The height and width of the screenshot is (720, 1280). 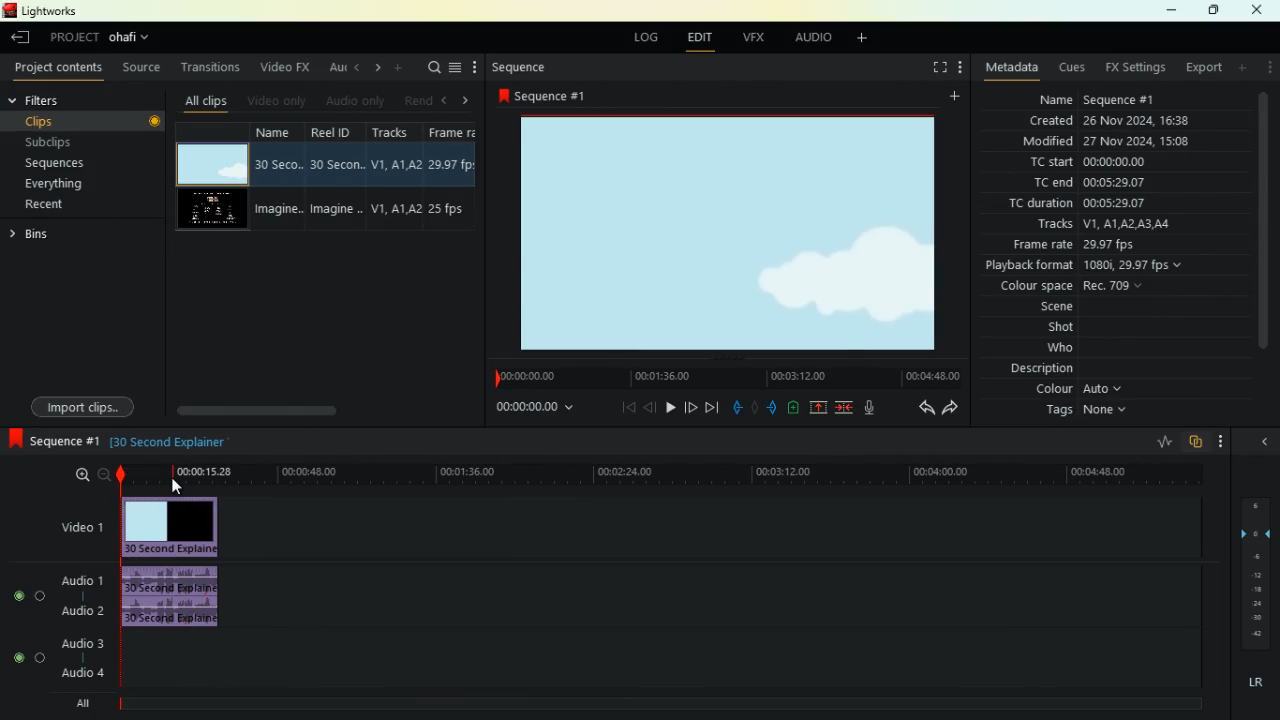 What do you see at coordinates (43, 11) in the screenshot?
I see `lightworks` at bounding box center [43, 11].